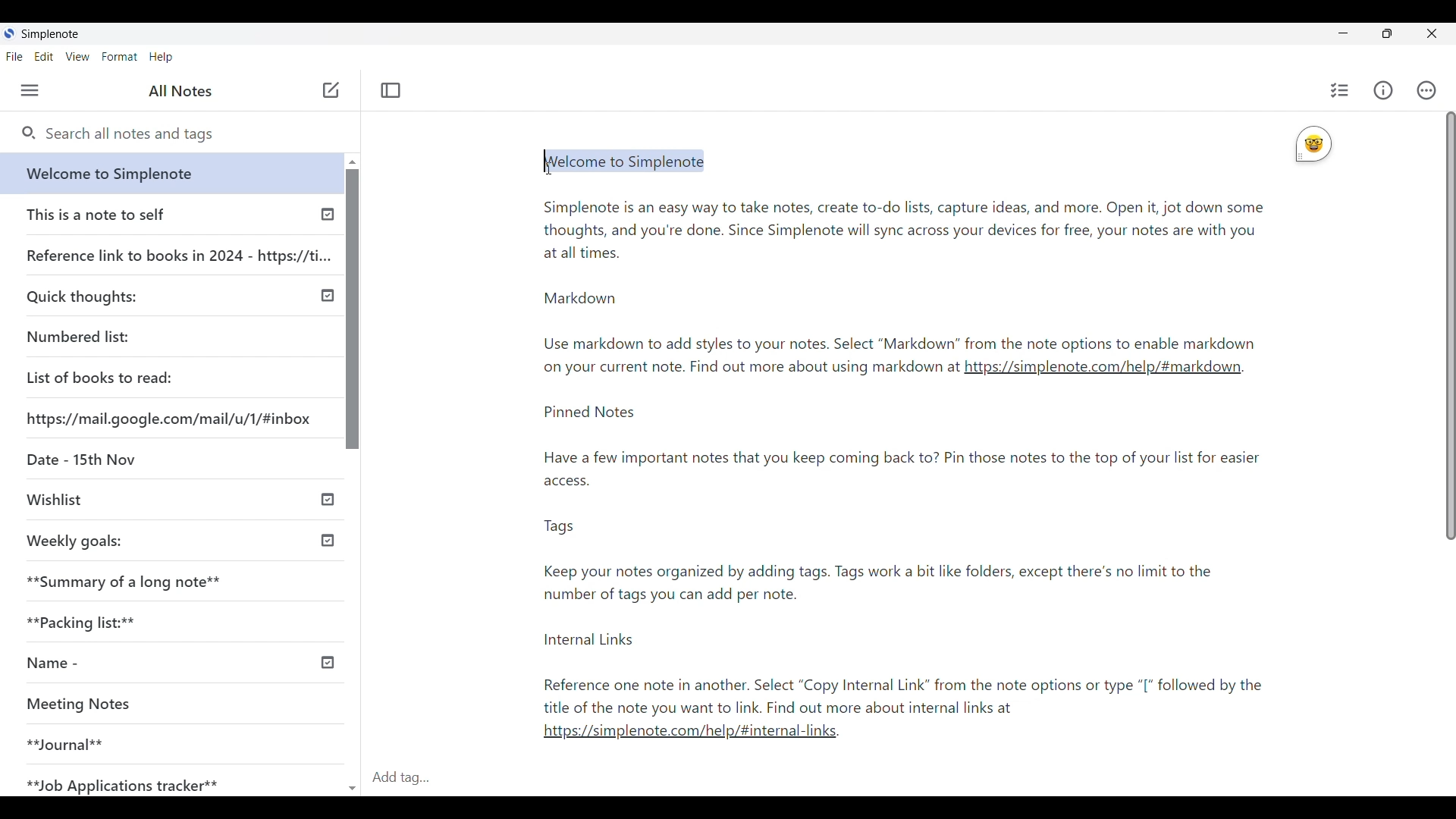 This screenshot has width=1456, height=819. Describe the element at coordinates (54, 497) in the screenshot. I see `Wishlist` at that location.